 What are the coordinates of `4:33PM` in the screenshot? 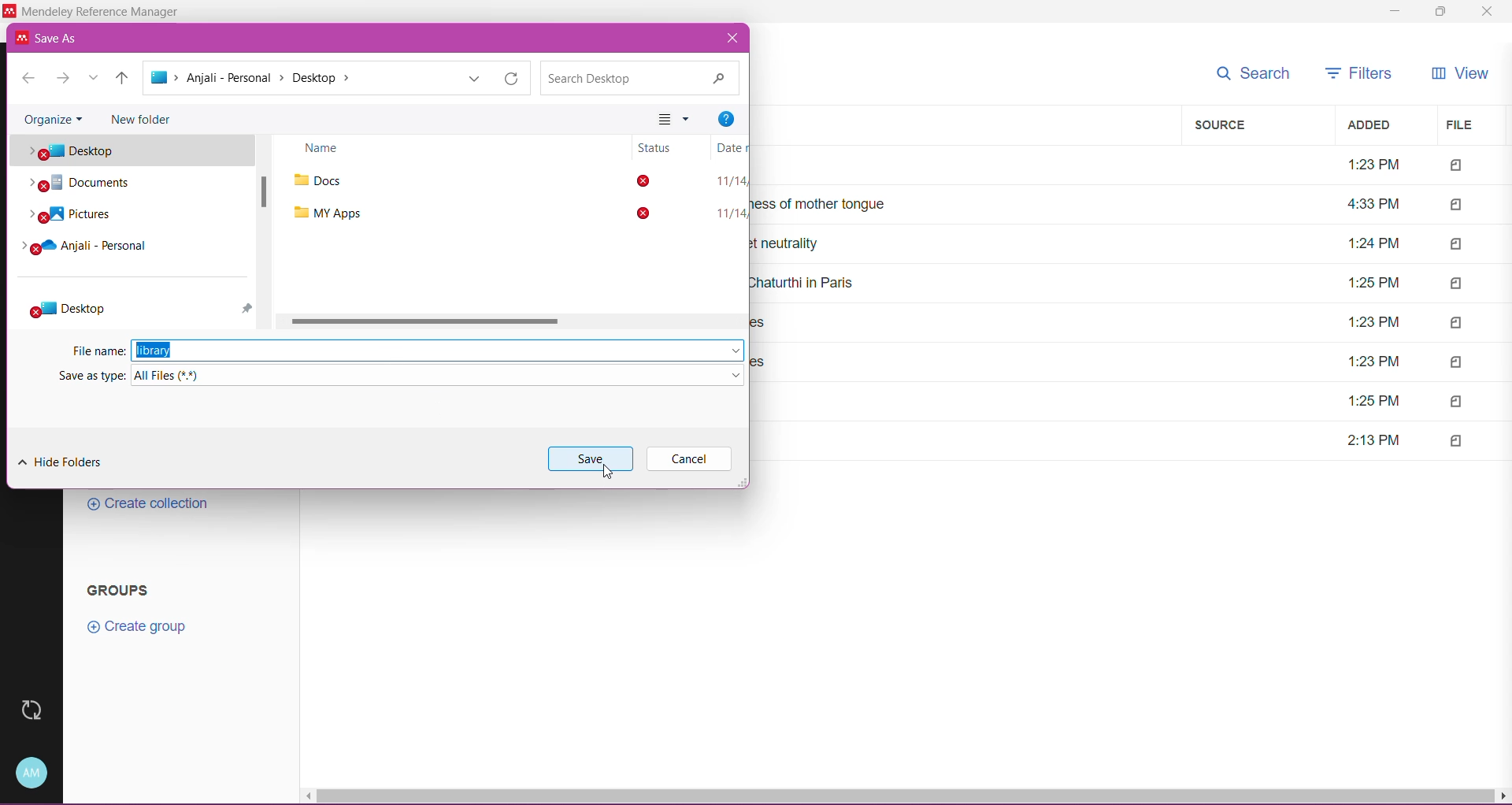 It's located at (1373, 204).